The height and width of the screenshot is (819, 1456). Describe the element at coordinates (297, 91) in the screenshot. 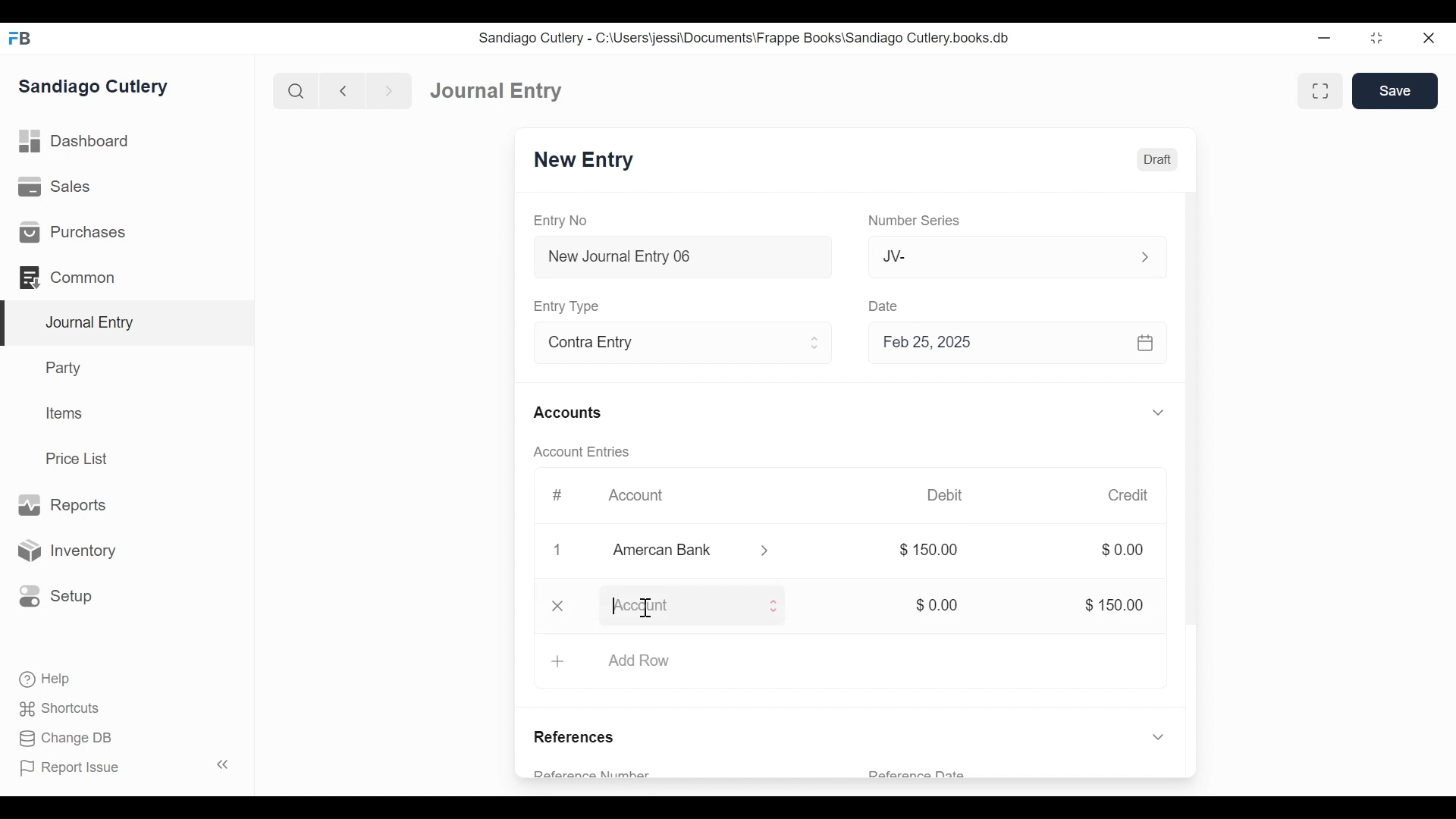

I see `Search` at that location.